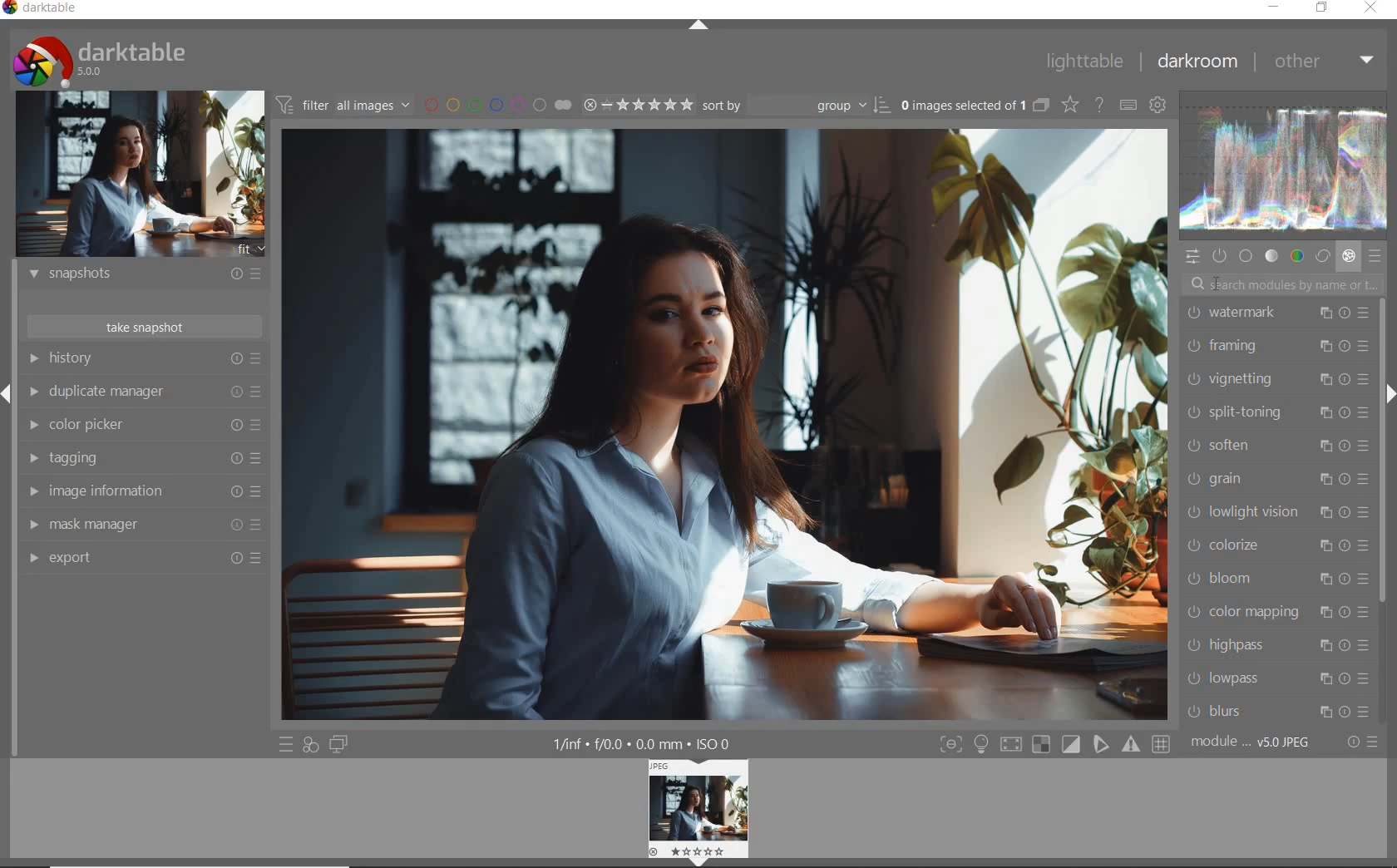  What do you see at coordinates (1278, 680) in the screenshot?
I see `lowpass` at bounding box center [1278, 680].